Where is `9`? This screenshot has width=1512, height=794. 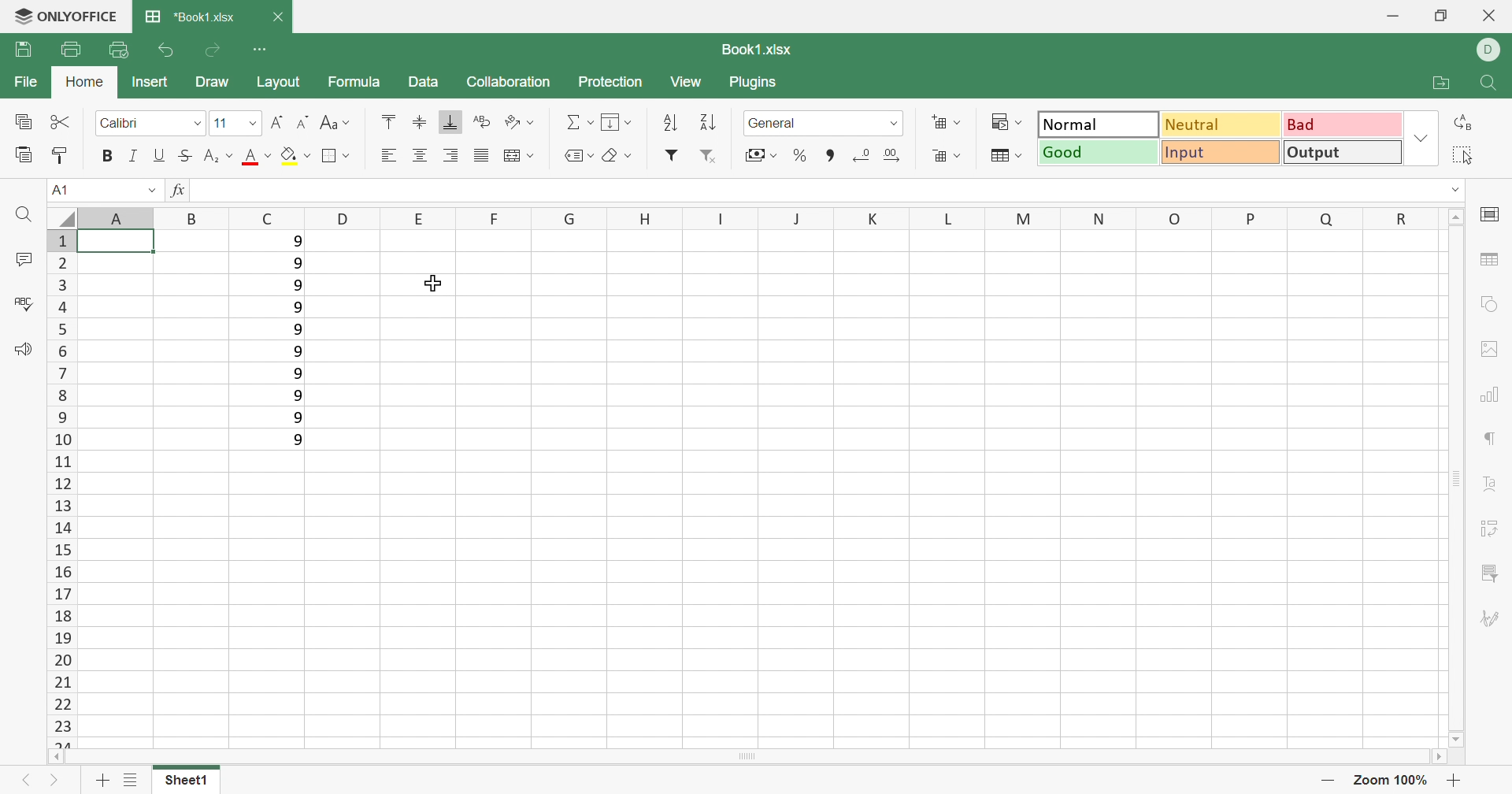
9 is located at coordinates (297, 419).